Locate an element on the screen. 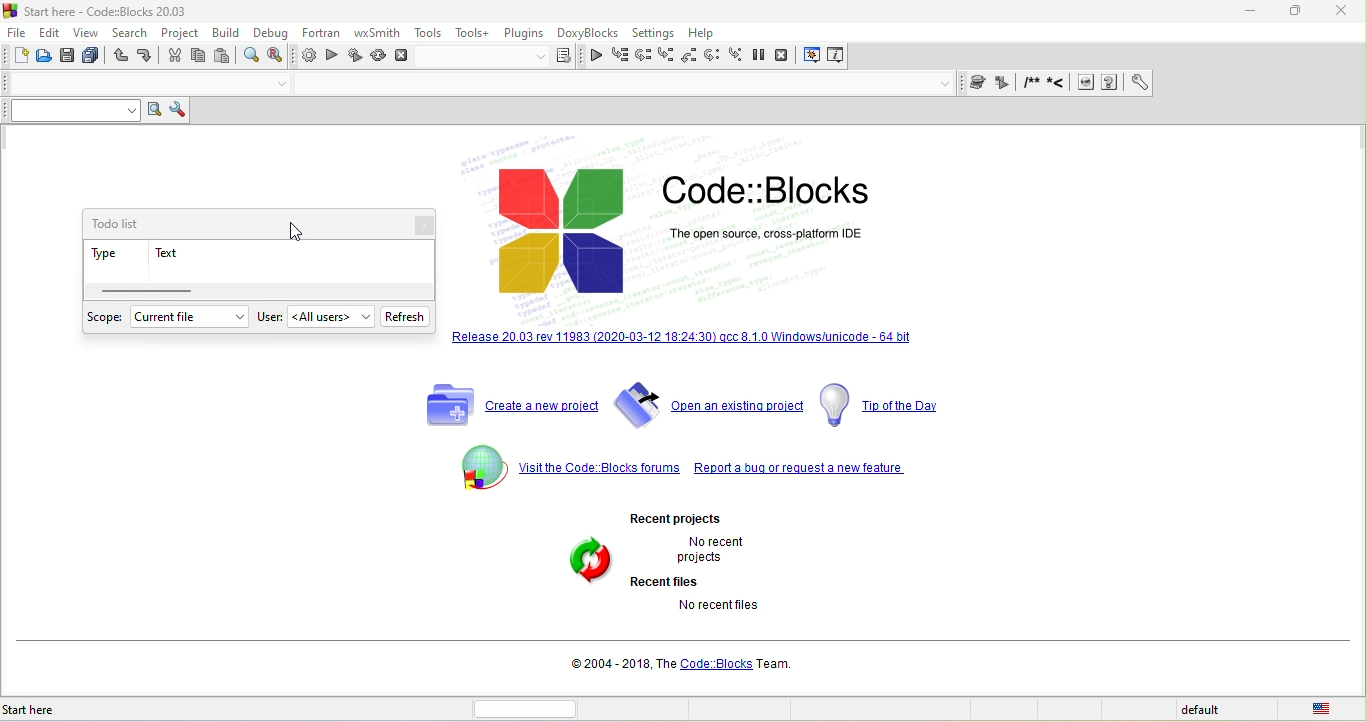 The width and height of the screenshot is (1366, 722). run search is located at coordinates (155, 111).